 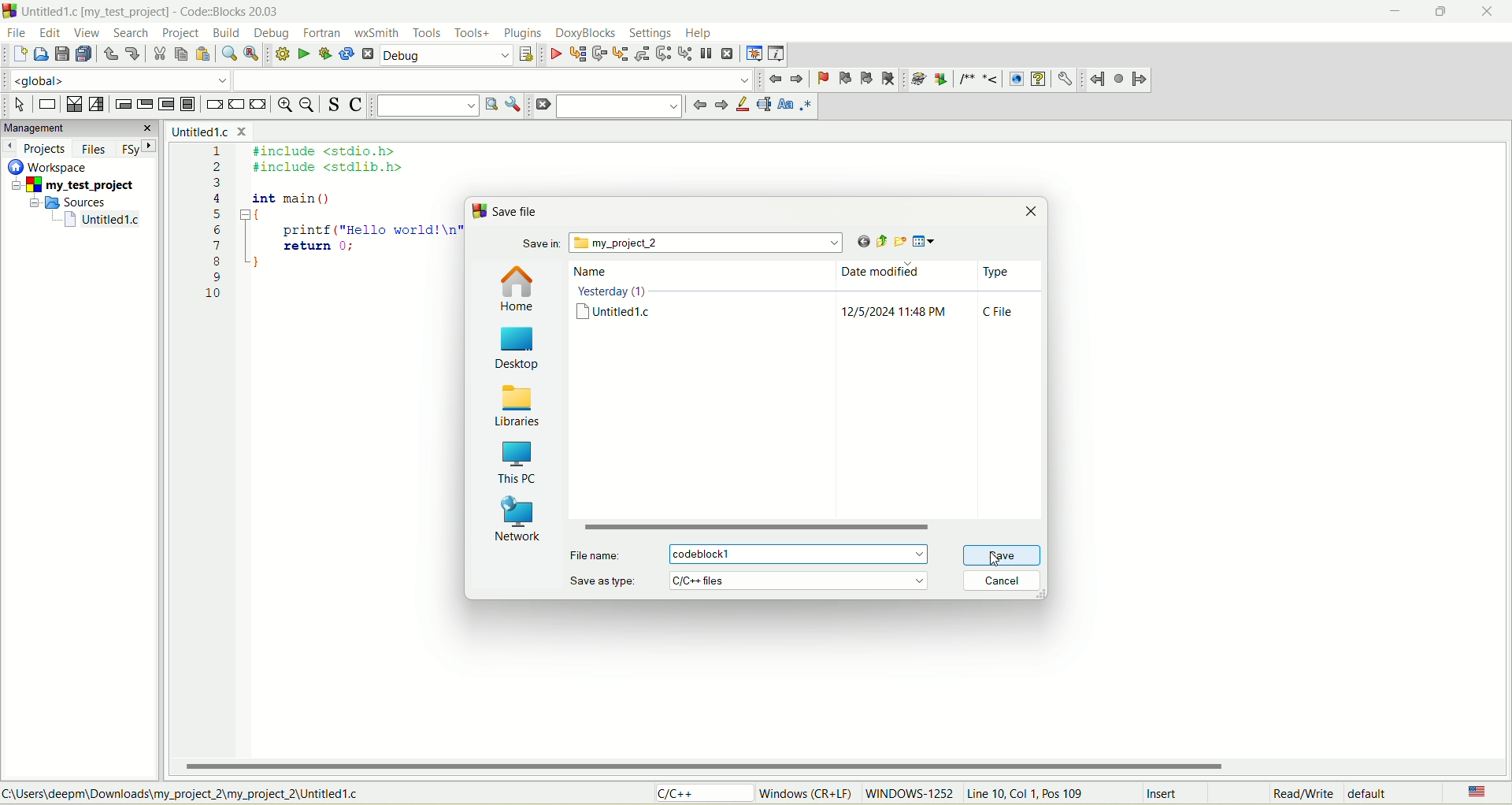 What do you see at coordinates (741, 105) in the screenshot?
I see `highlight` at bounding box center [741, 105].